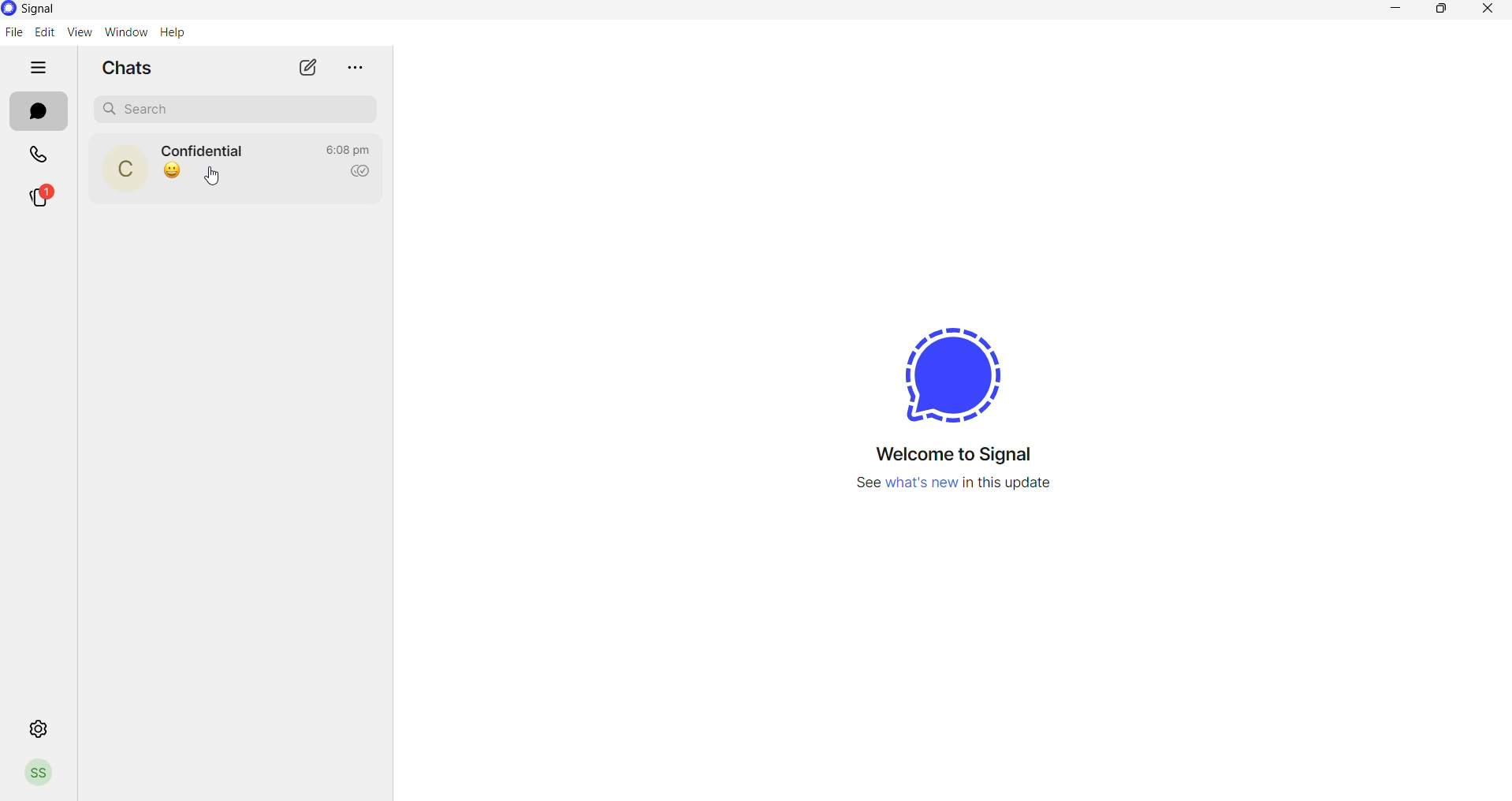 This screenshot has height=801, width=1512. Describe the element at coordinates (39, 774) in the screenshot. I see `profile picture` at that location.